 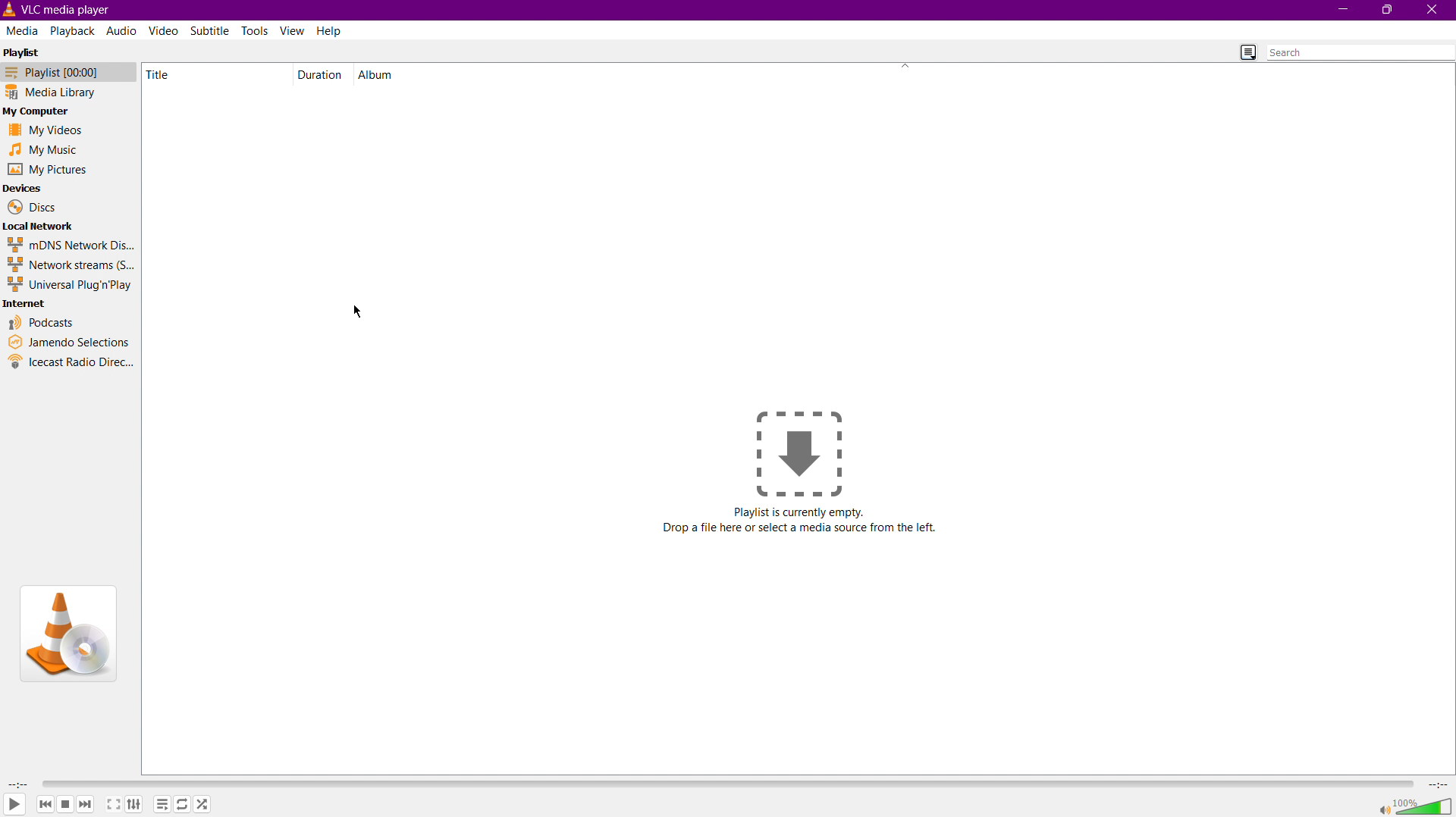 I want to click on Toggle Playlist View, so click(x=1248, y=52).